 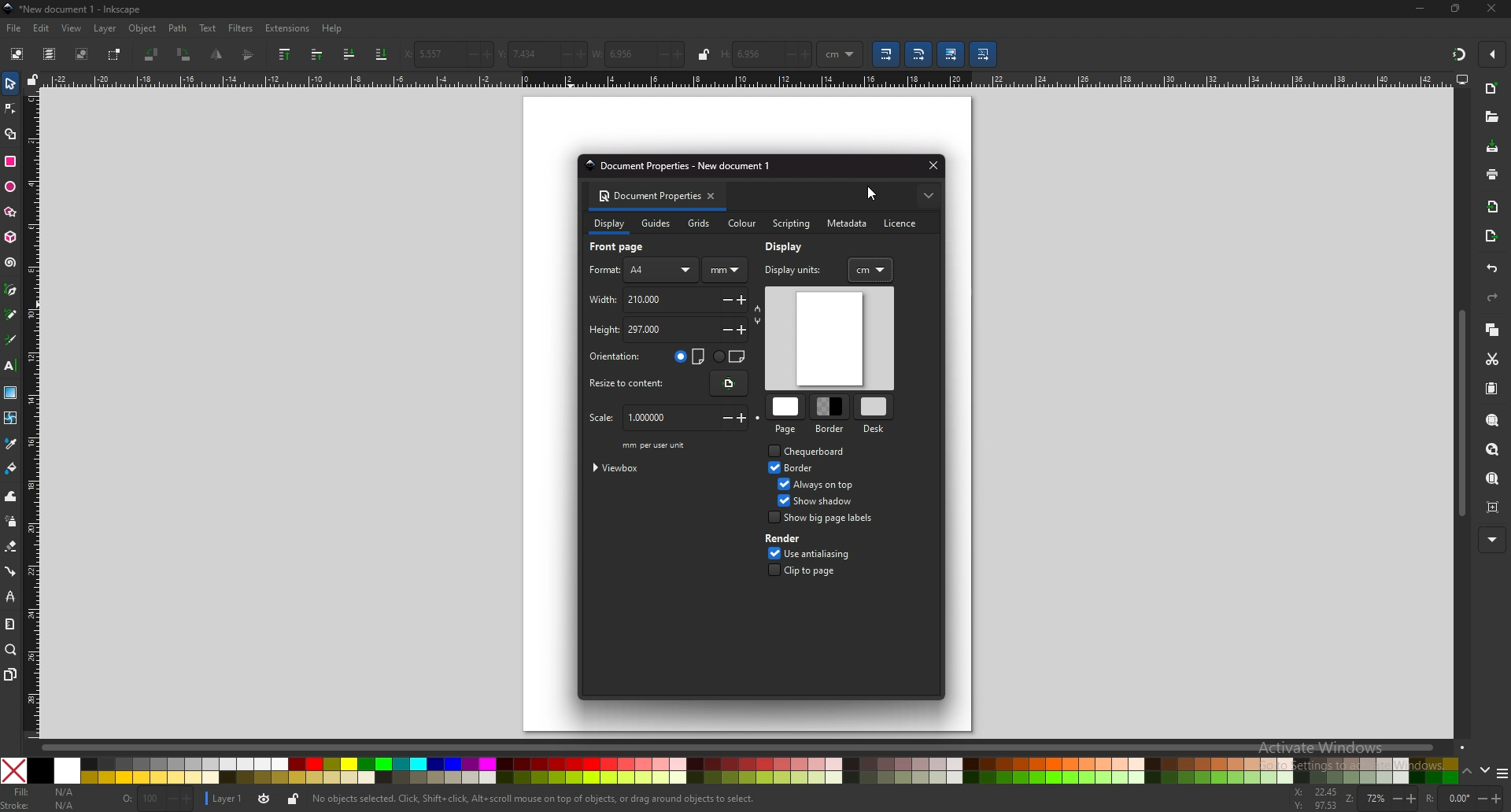 What do you see at coordinates (658, 223) in the screenshot?
I see `guides` at bounding box center [658, 223].